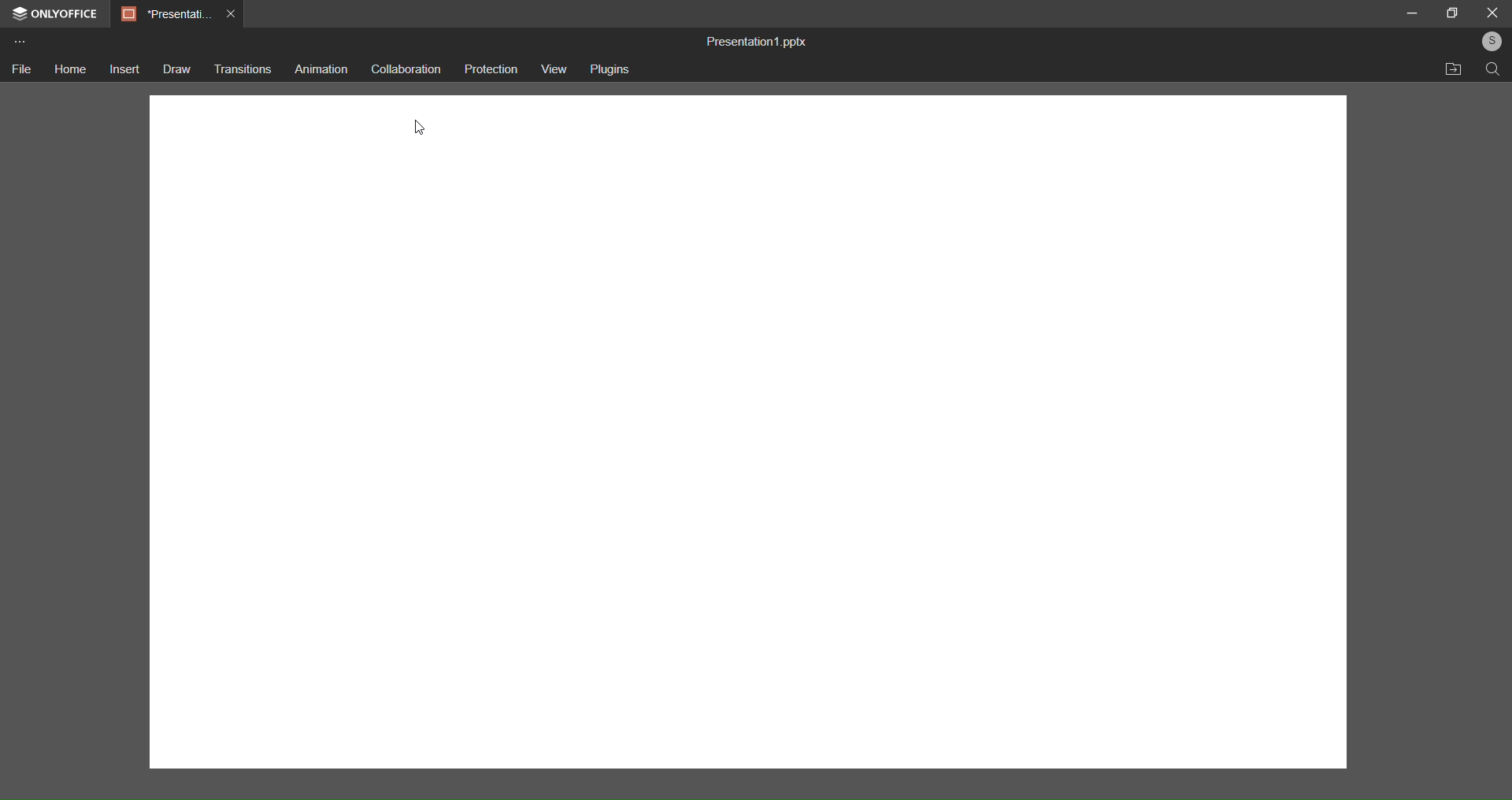 The width and height of the screenshot is (1512, 800). What do you see at coordinates (24, 72) in the screenshot?
I see `file` at bounding box center [24, 72].